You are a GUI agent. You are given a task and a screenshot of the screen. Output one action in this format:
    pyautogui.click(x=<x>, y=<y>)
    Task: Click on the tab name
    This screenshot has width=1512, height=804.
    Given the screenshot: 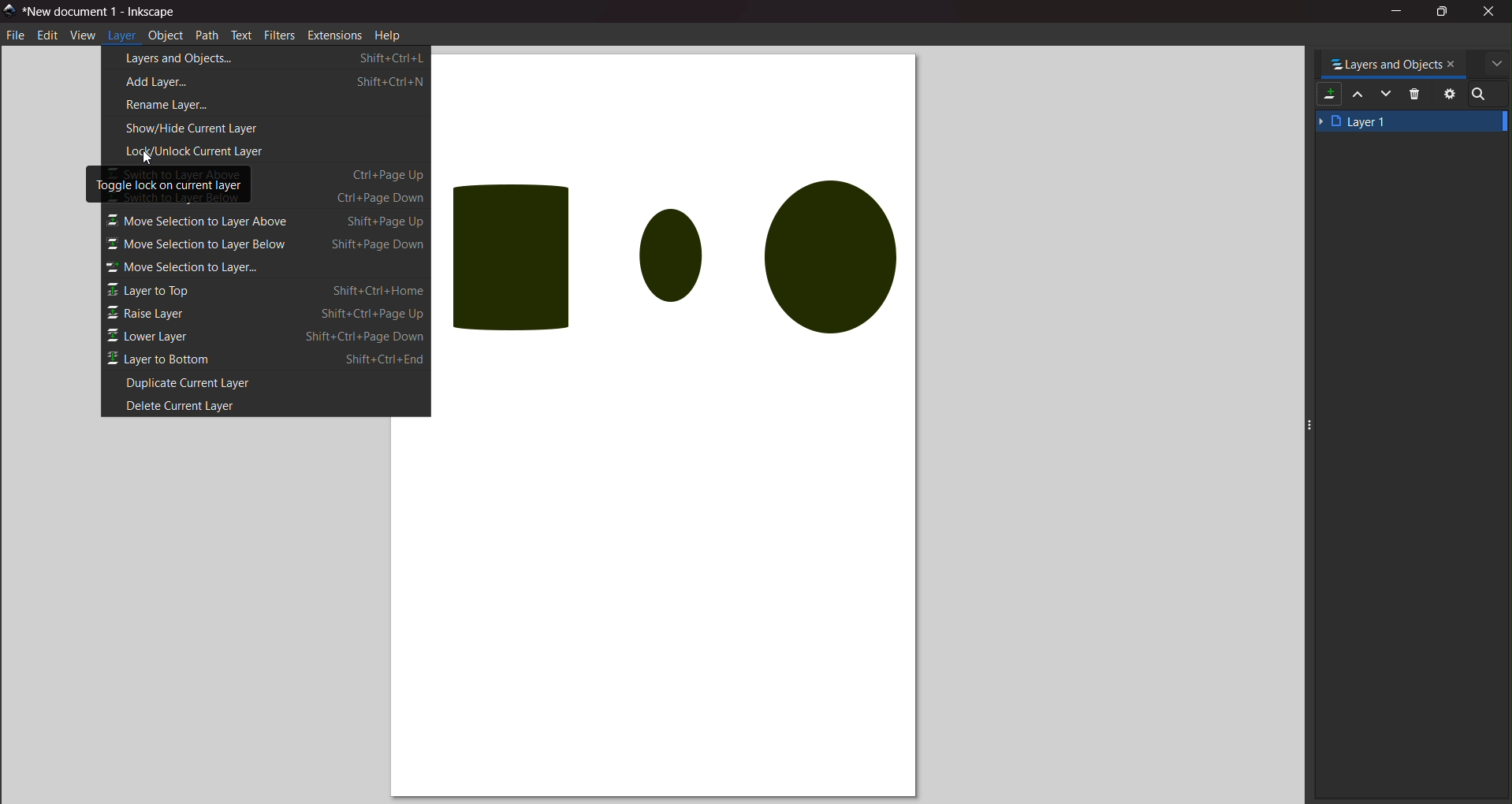 What is the action you would take?
    pyautogui.click(x=1387, y=63)
    